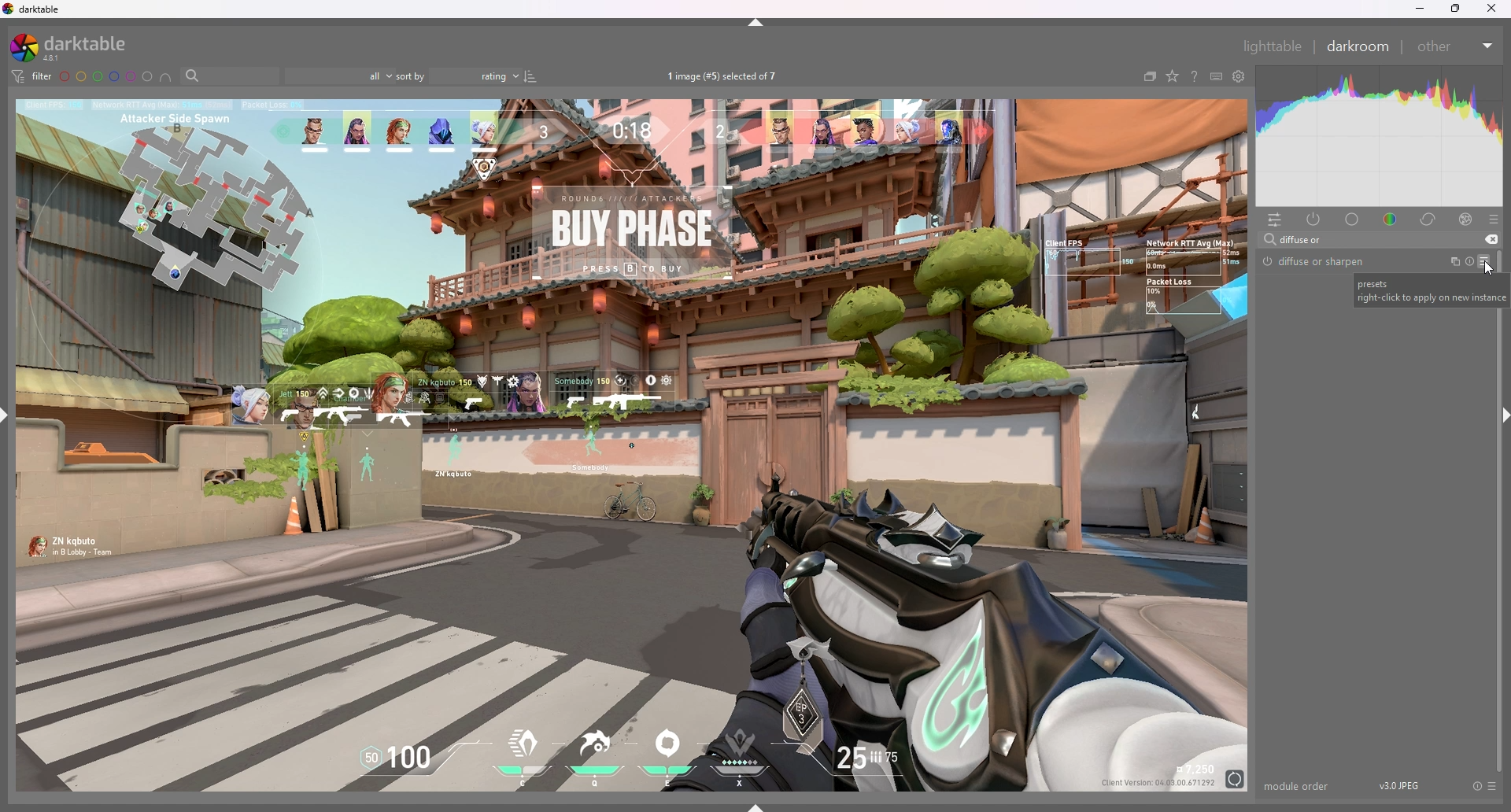 This screenshot has width=1511, height=812. What do you see at coordinates (1274, 46) in the screenshot?
I see `lighttable` at bounding box center [1274, 46].